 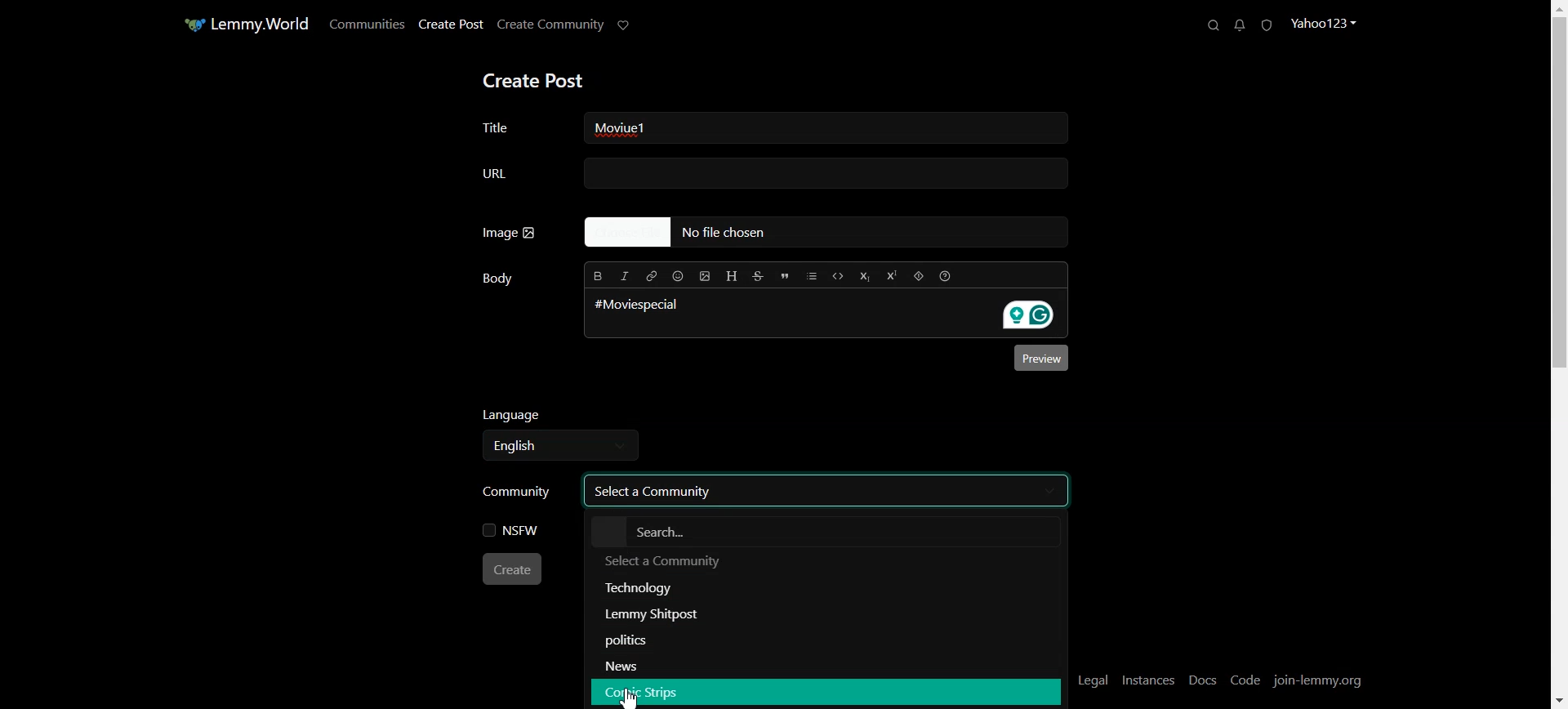 I want to click on Vertical scroll bar, so click(x=1558, y=355).